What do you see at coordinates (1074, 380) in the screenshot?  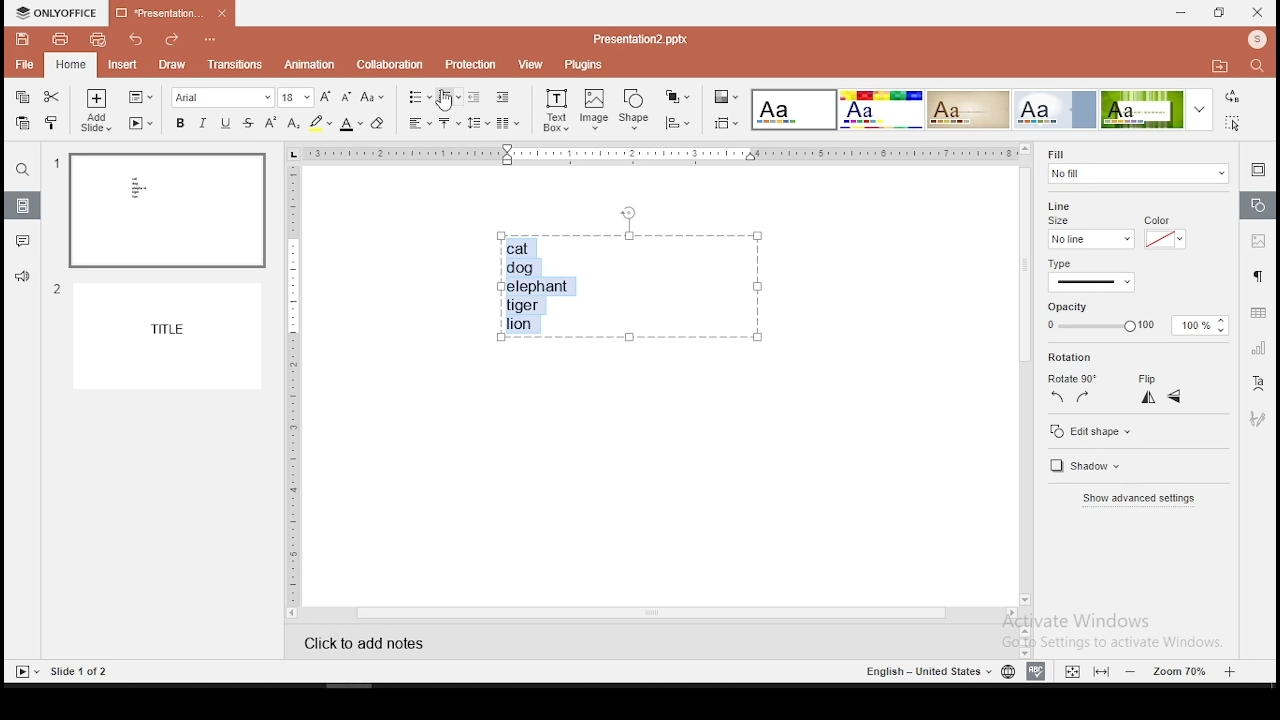 I see `rotate 90` at bounding box center [1074, 380].